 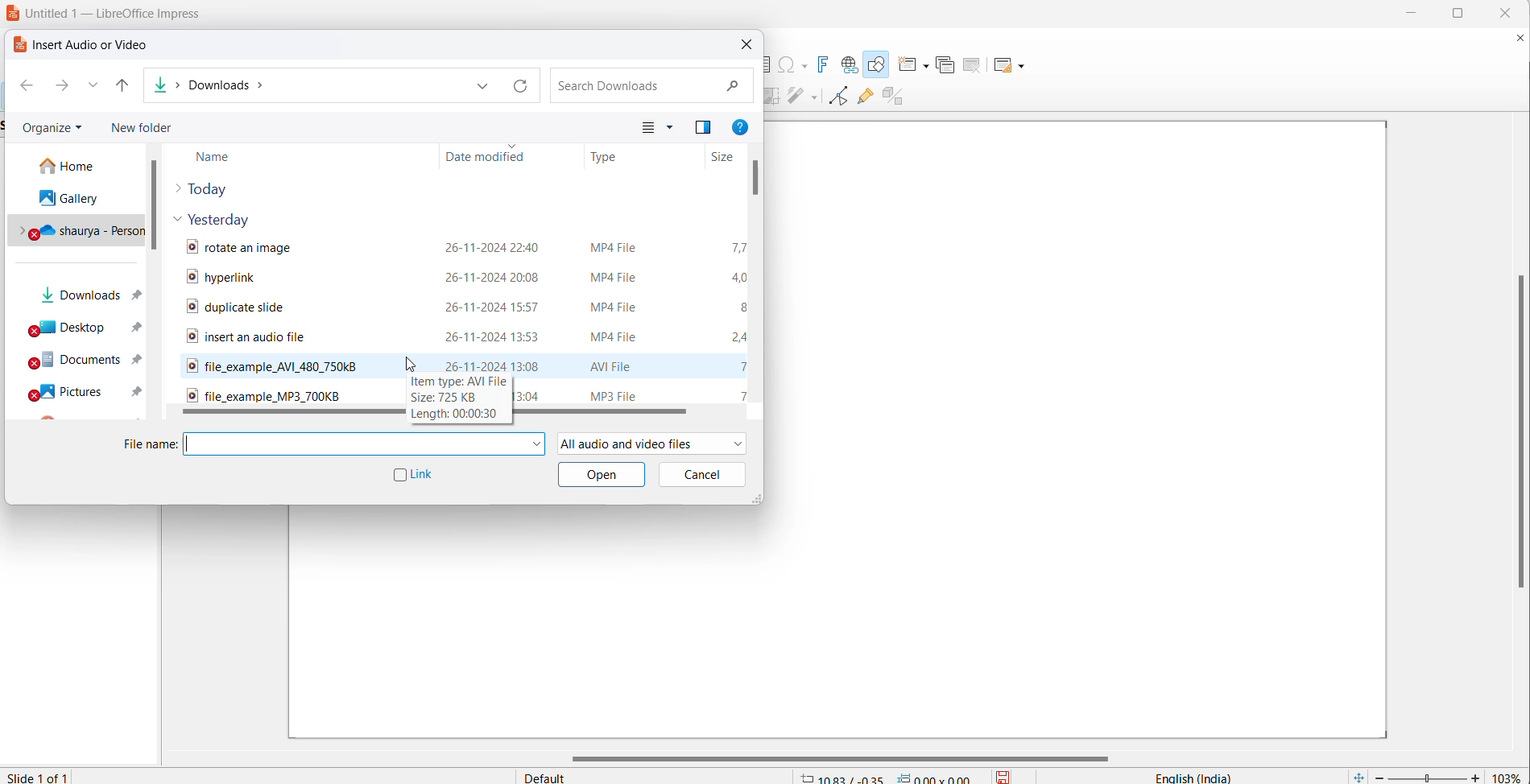 What do you see at coordinates (410, 476) in the screenshot?
I see `link checkbox` at bounding box center [410, 476].